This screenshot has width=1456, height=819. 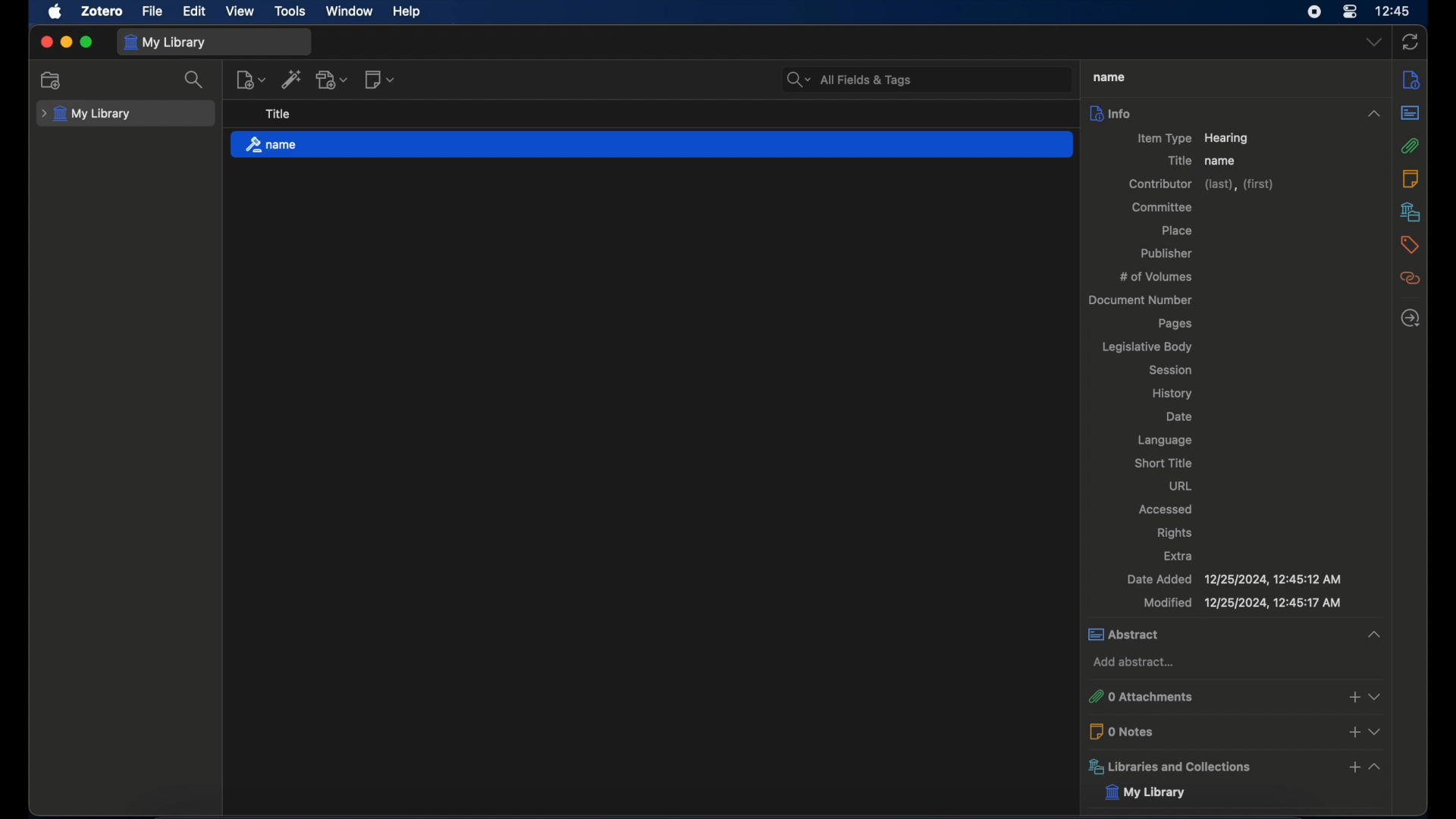 What do you see at coordinates (45, 41) in the screenshot?
I see `close` at bounding box center [45, 41].